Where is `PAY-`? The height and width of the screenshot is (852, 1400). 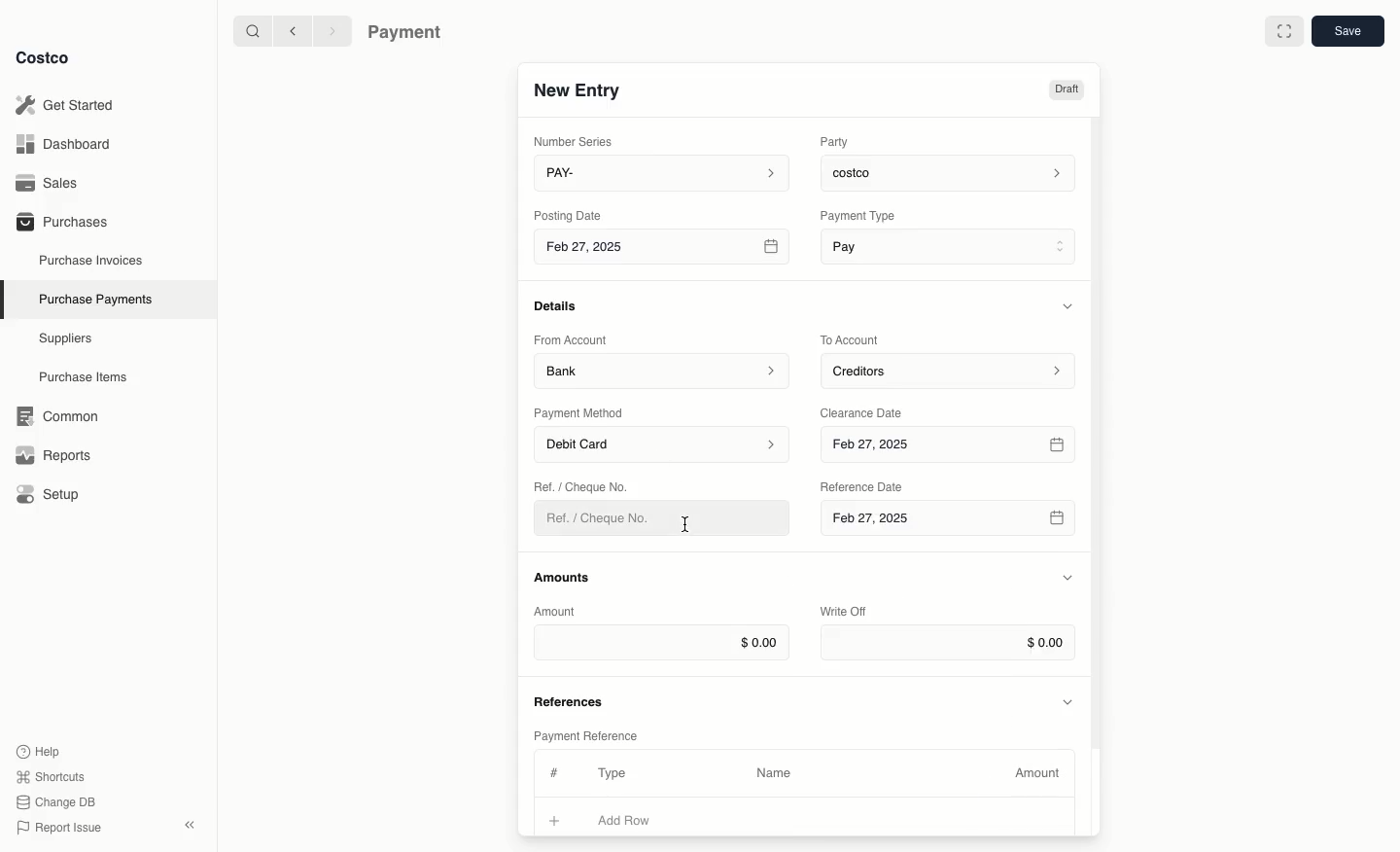 PAY- is located at coordinates (663, 172).